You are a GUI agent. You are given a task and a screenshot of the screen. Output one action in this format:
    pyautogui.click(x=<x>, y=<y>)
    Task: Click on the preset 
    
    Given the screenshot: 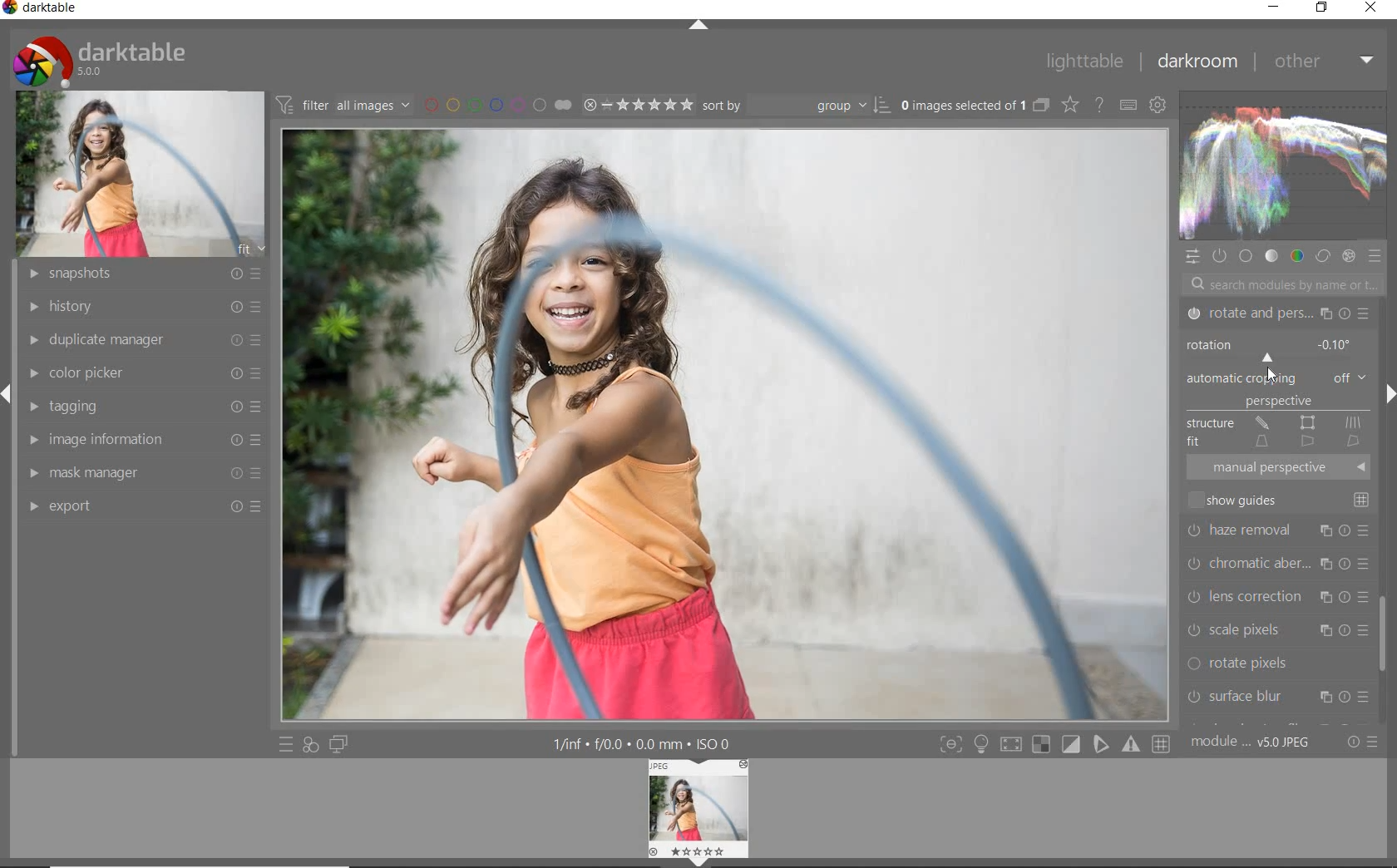 What is the action you would take?
    pyautogui.click(x=1375, y=258)
    